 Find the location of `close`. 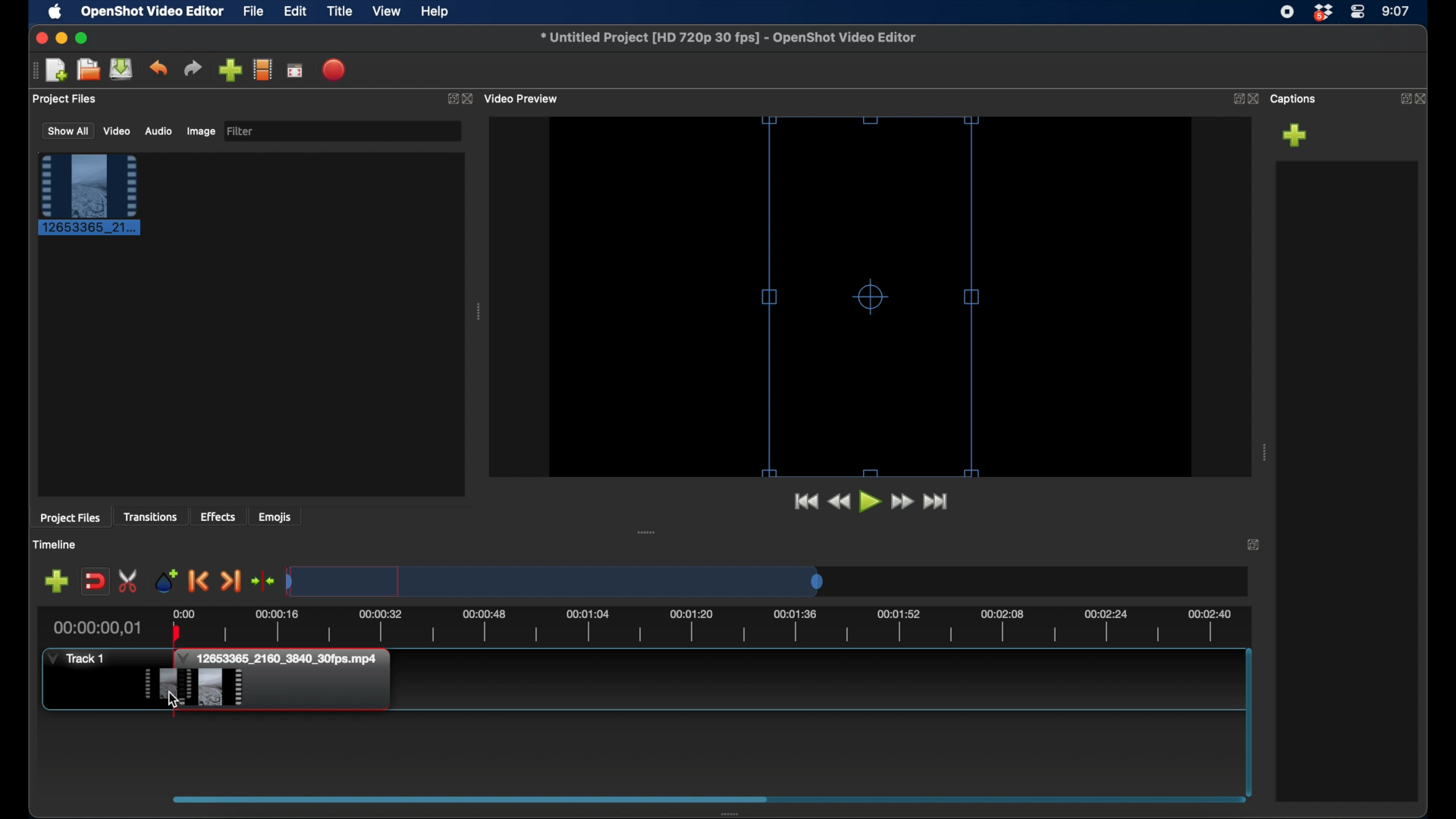

close is located at coordinates (471, 98).